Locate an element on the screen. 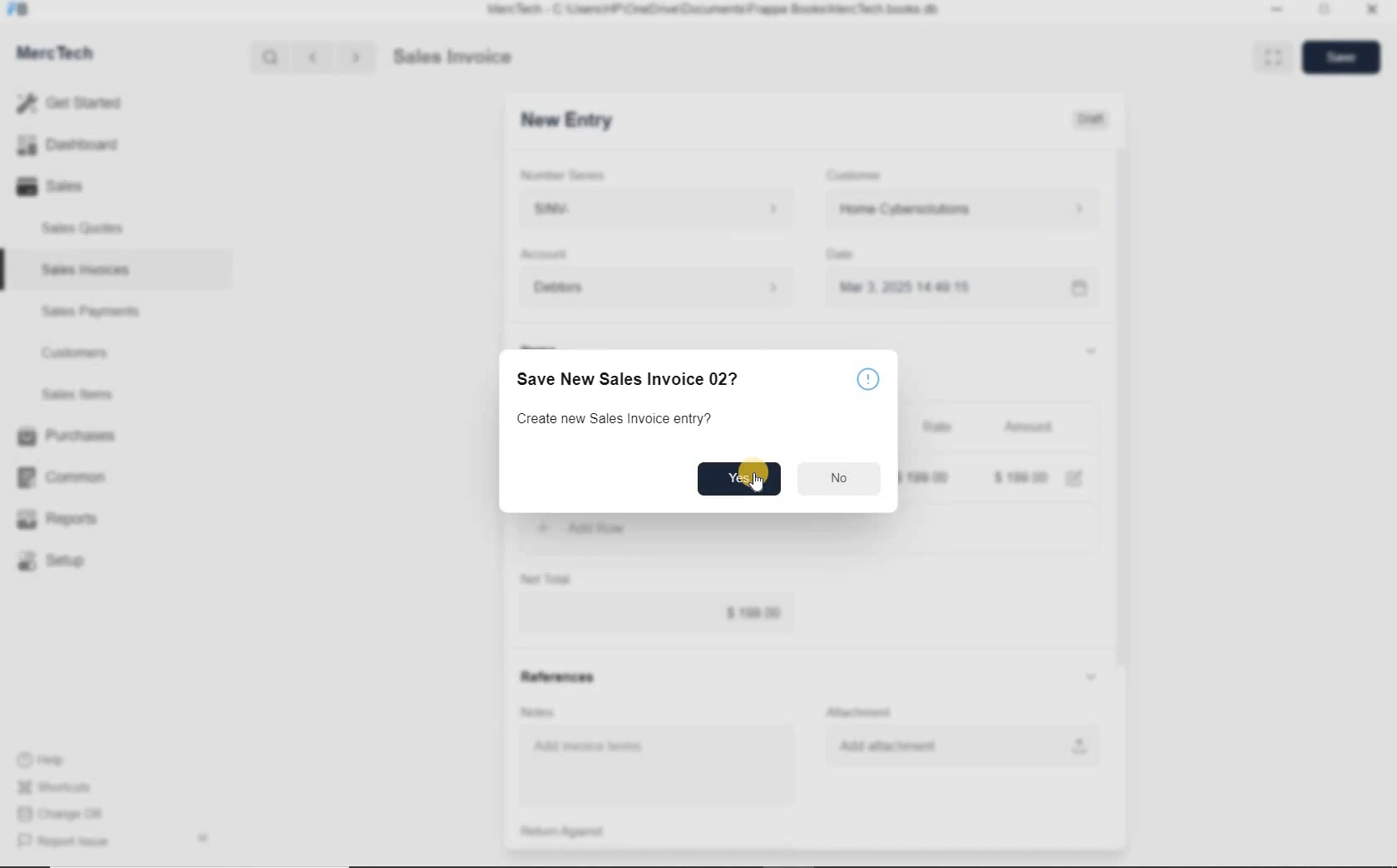  Search is located at coordinates (272, 57).